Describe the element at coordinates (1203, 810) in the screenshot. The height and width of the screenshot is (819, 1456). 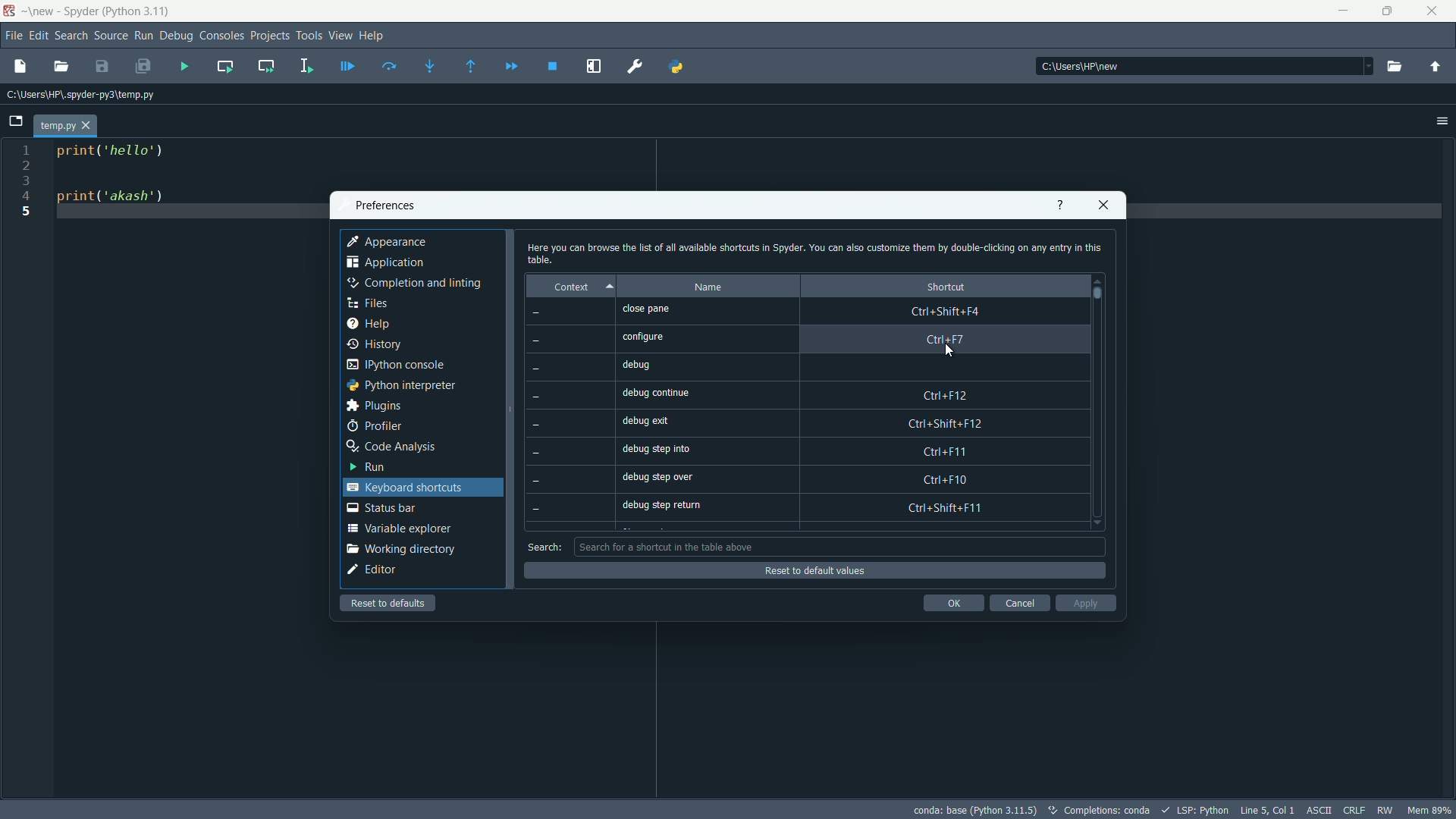
I see `LSP:Python` at that location.